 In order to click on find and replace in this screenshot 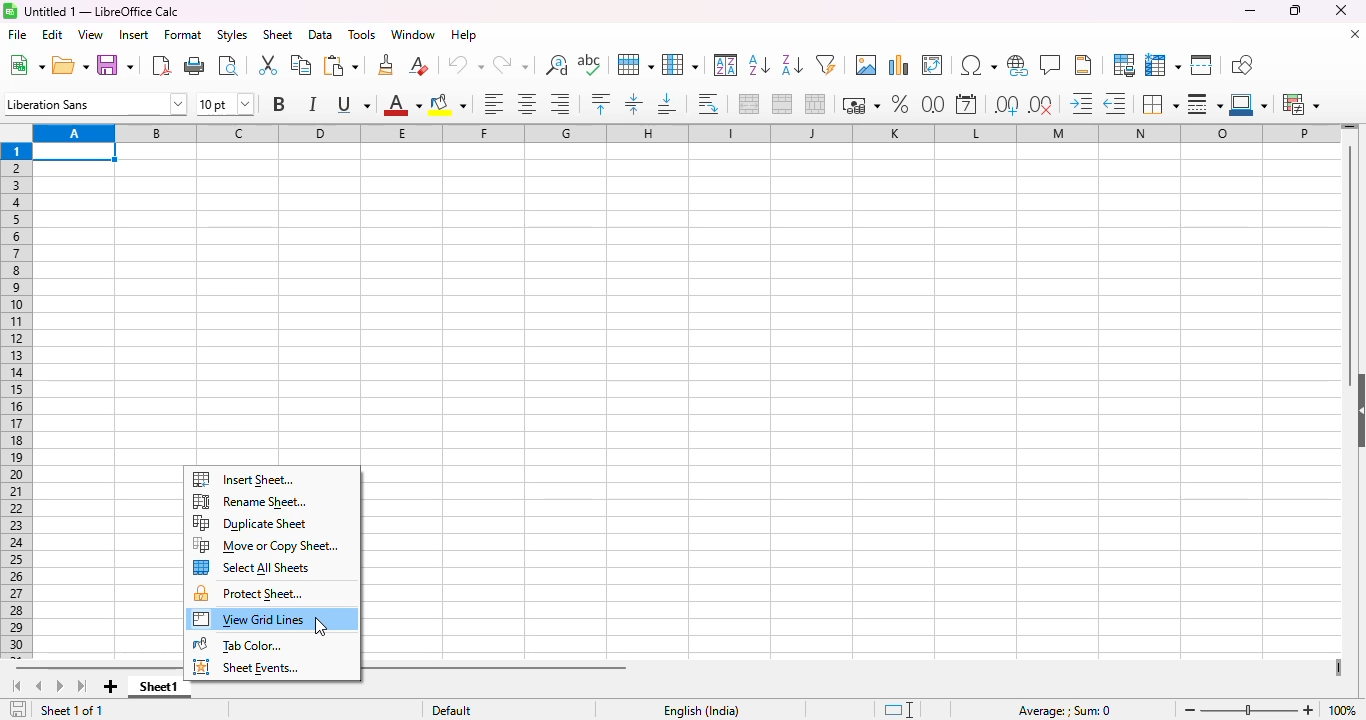, I will do `click(557, 65)`.